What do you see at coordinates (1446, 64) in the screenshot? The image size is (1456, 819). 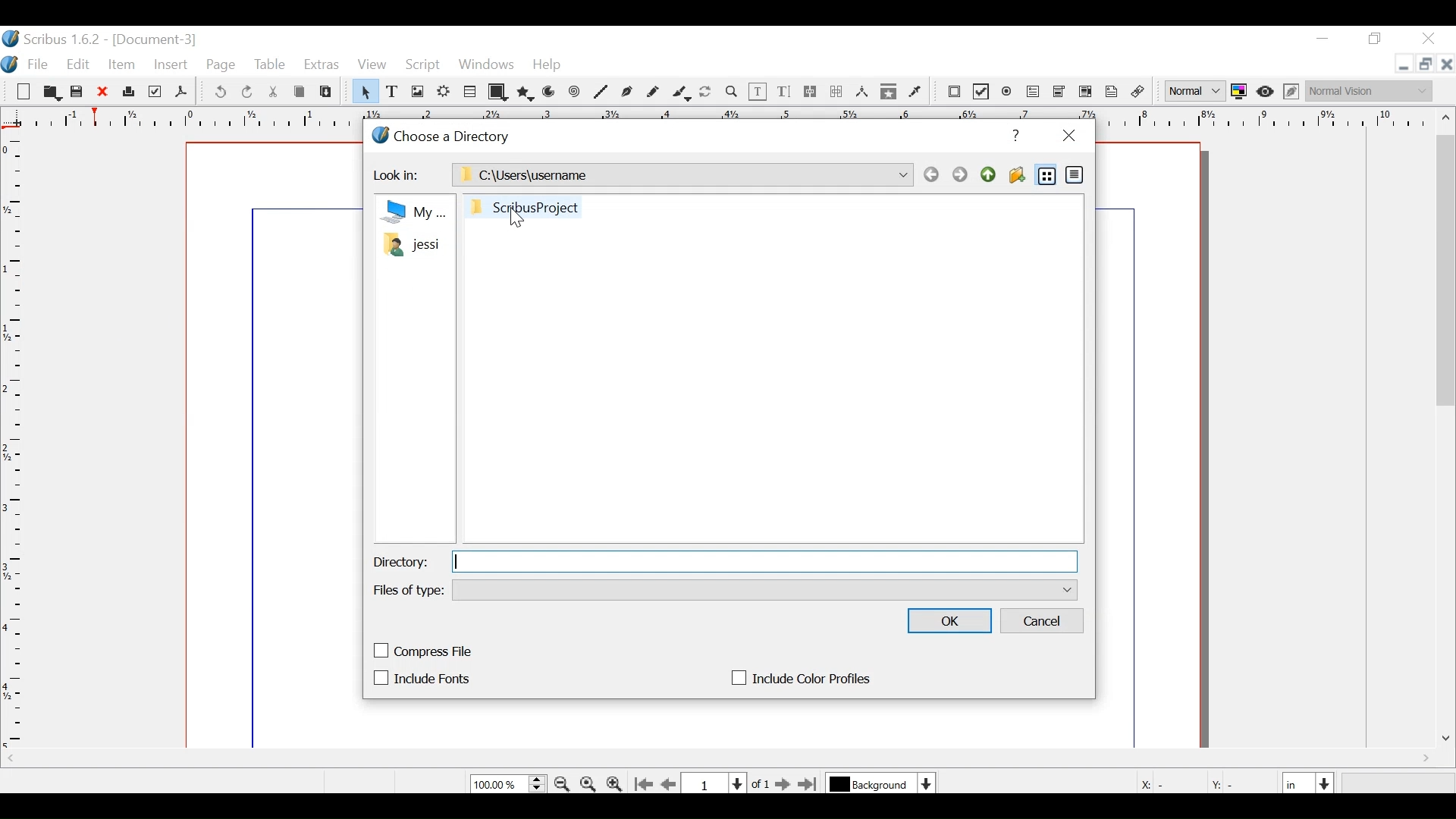 I see `Close` at bounding box center [1446, 64].